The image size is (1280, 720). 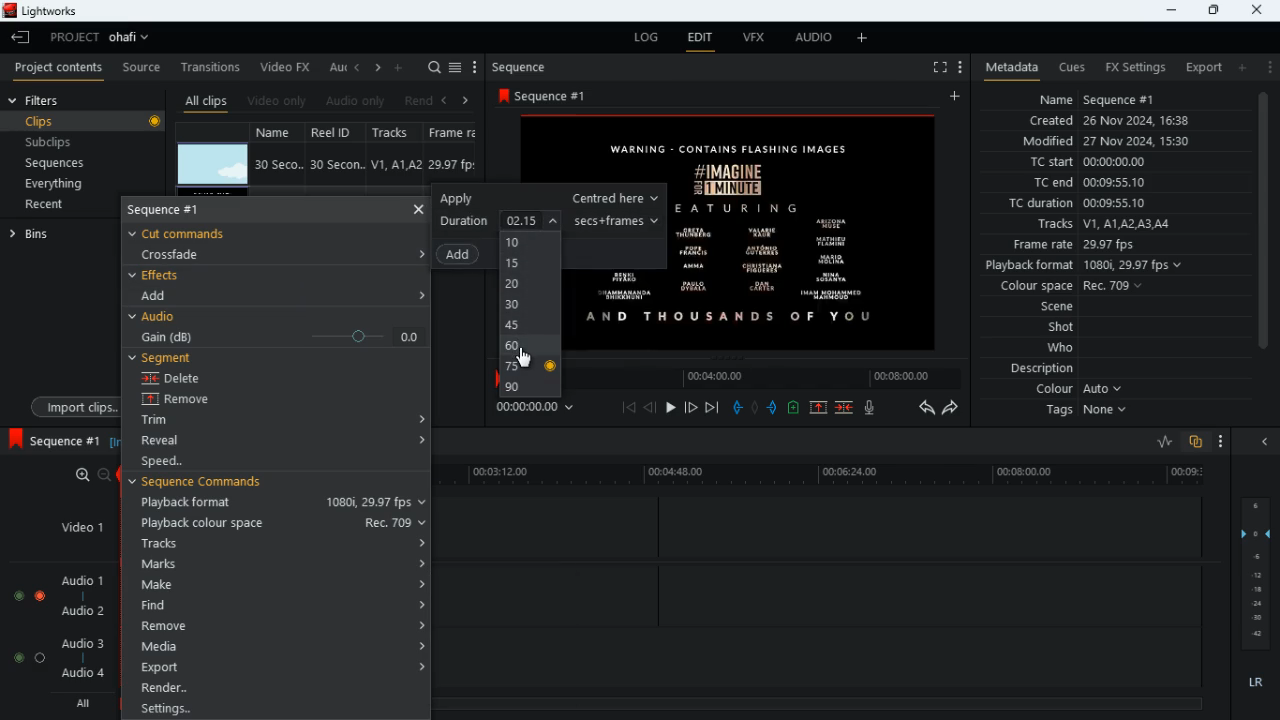 I want to click on audio 4, so click(x=81, y=676).